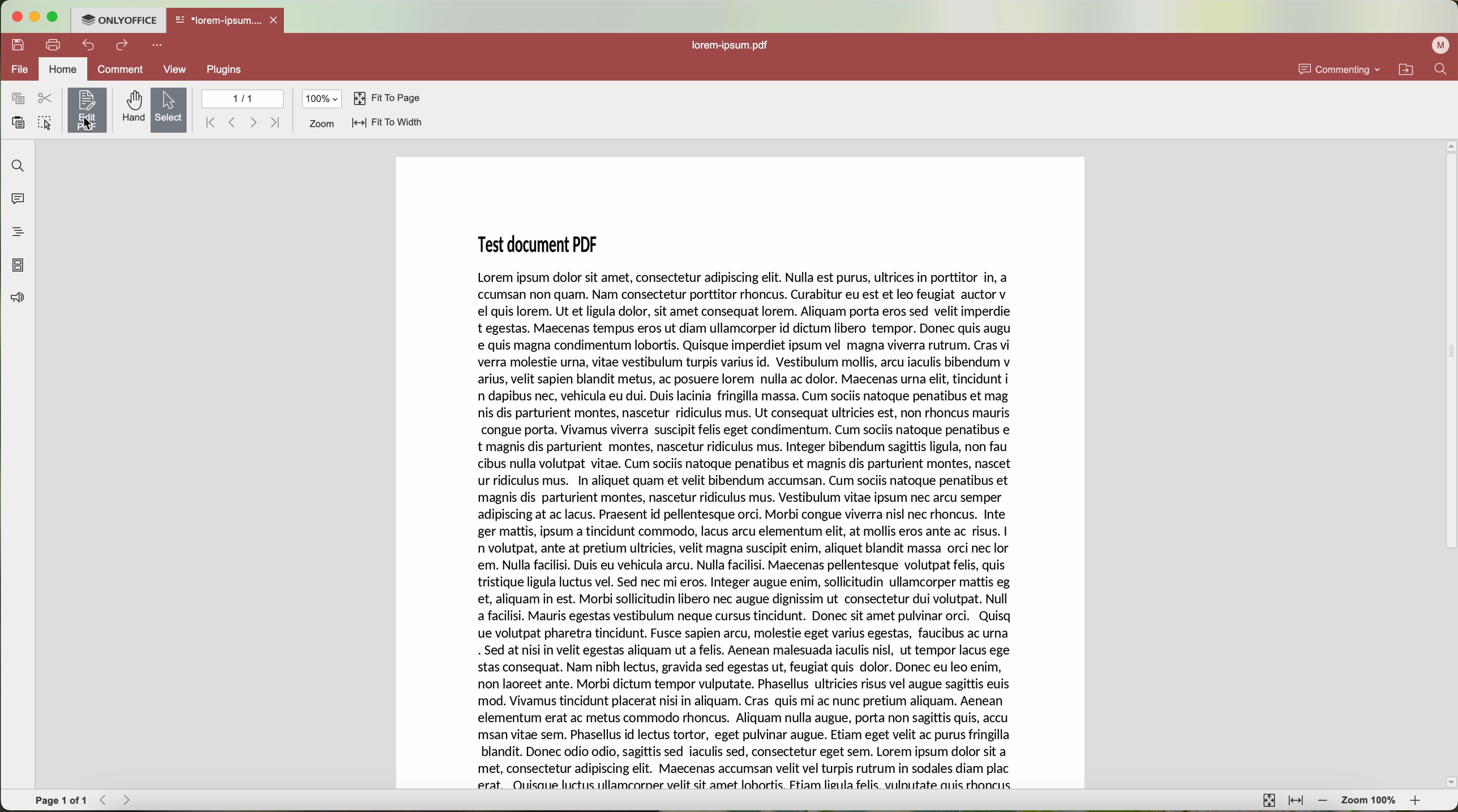 The width and height of the screenshot is (1458, 812). What do you see at coordinates (158, 48) in the screenshot?
I see `more options` at bounding box center [158, 48].